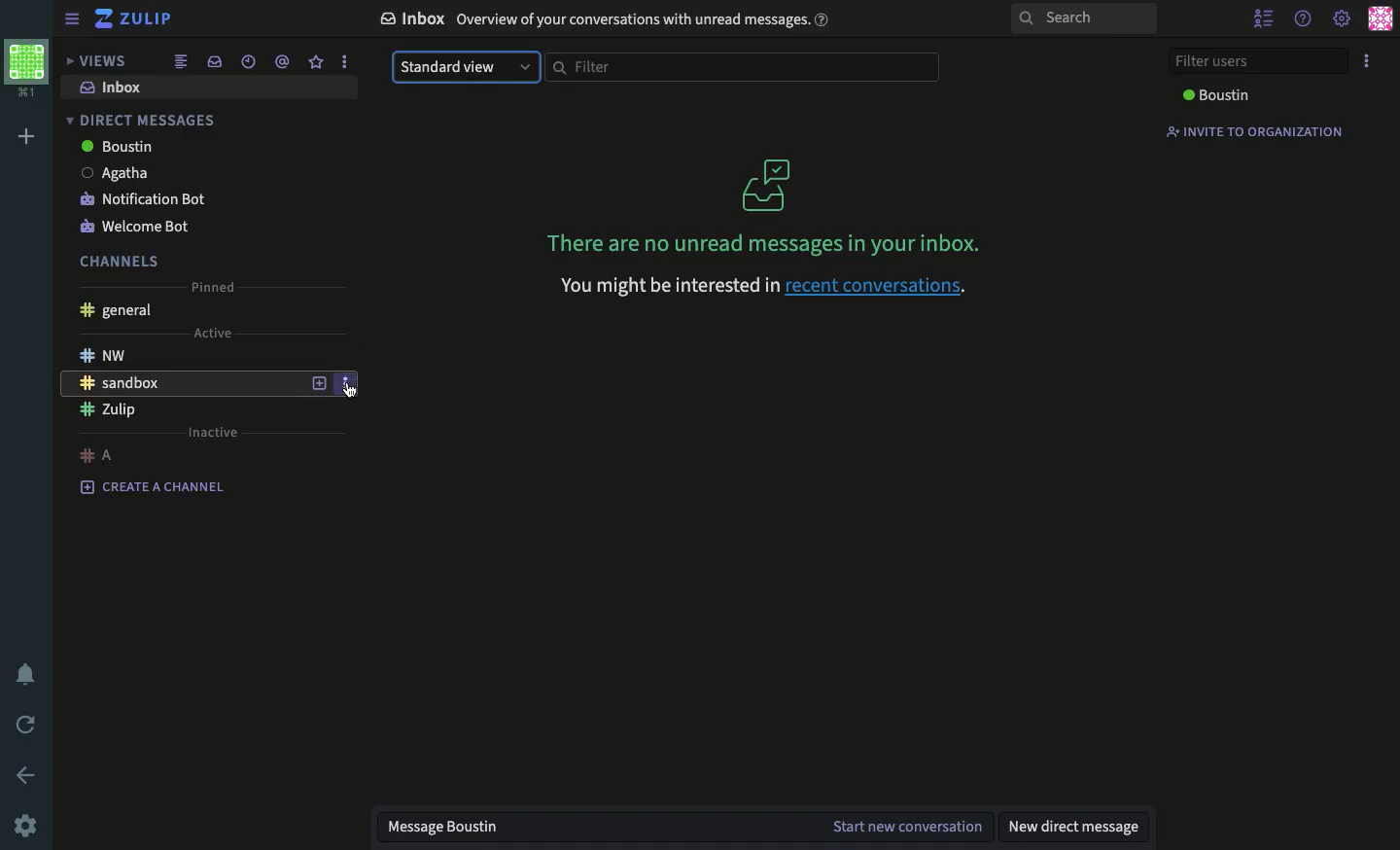 This screenshot has height=850, width=1400. I want to click on Agatha, so click(118, 174).